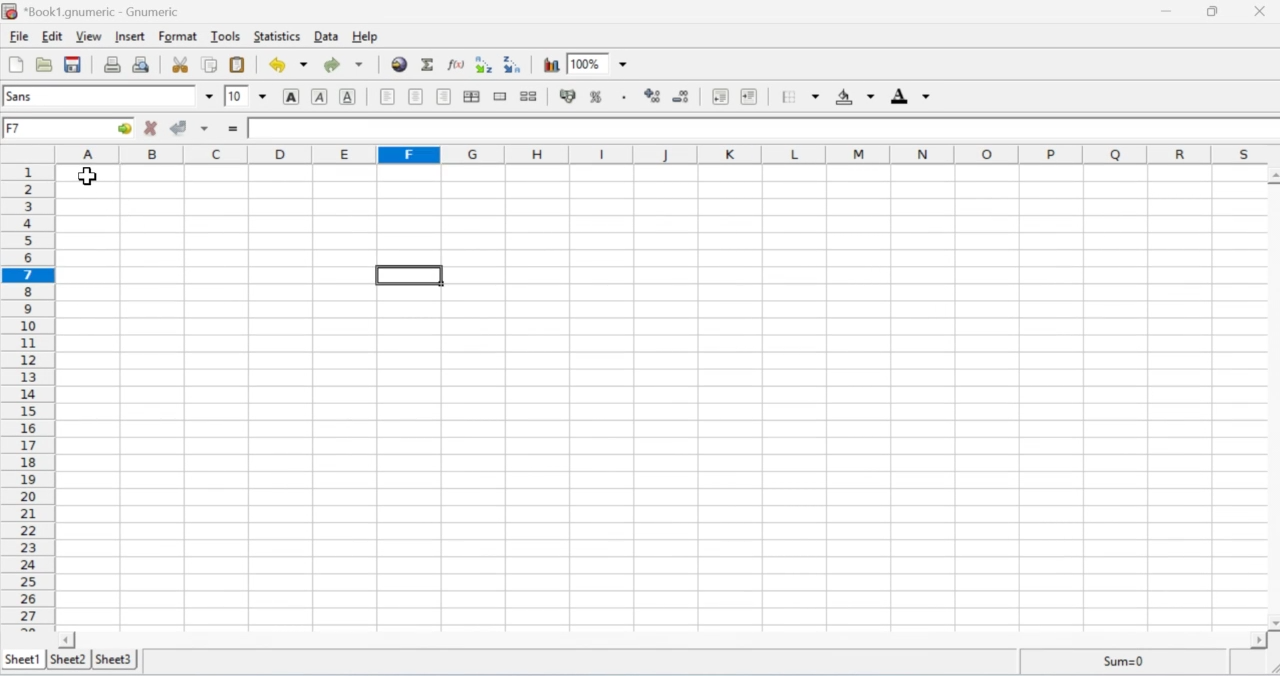 The height and width of the screenshot is (676, 1280). I want to click on Rows, so click(24, 397).